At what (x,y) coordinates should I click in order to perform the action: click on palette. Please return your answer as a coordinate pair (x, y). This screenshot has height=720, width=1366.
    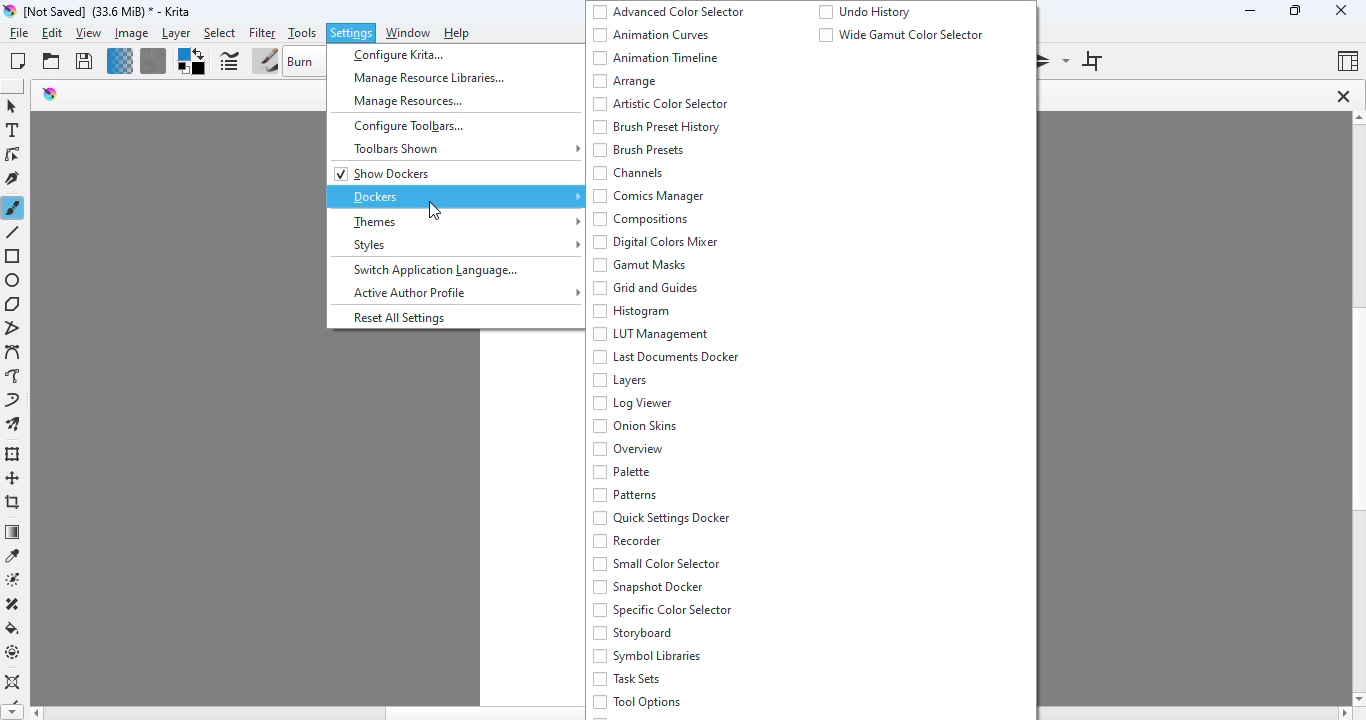
    Looking at the image, I should click on (622, 472).